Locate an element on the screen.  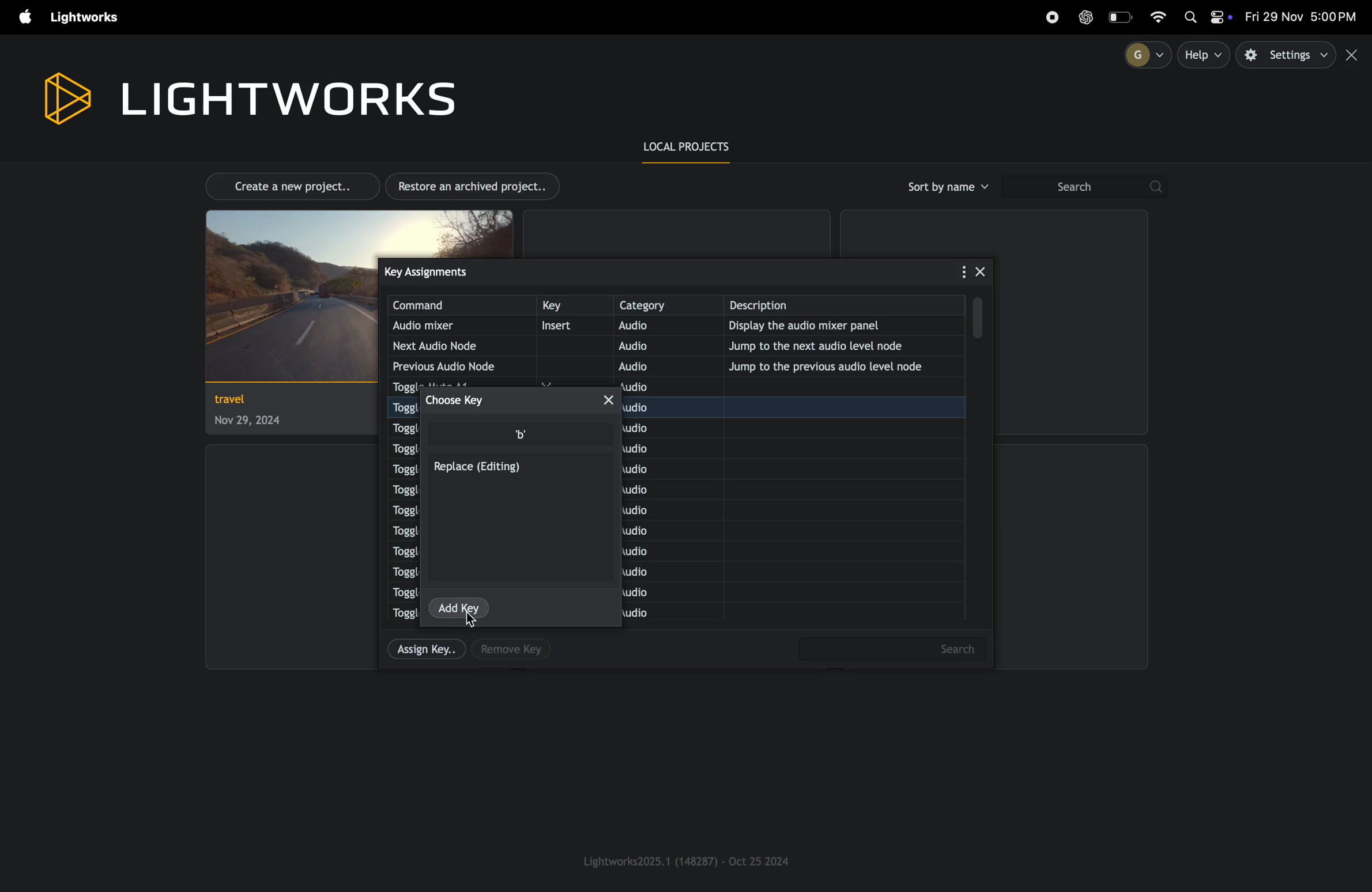
next audio node is located at coordinates (447, 346).